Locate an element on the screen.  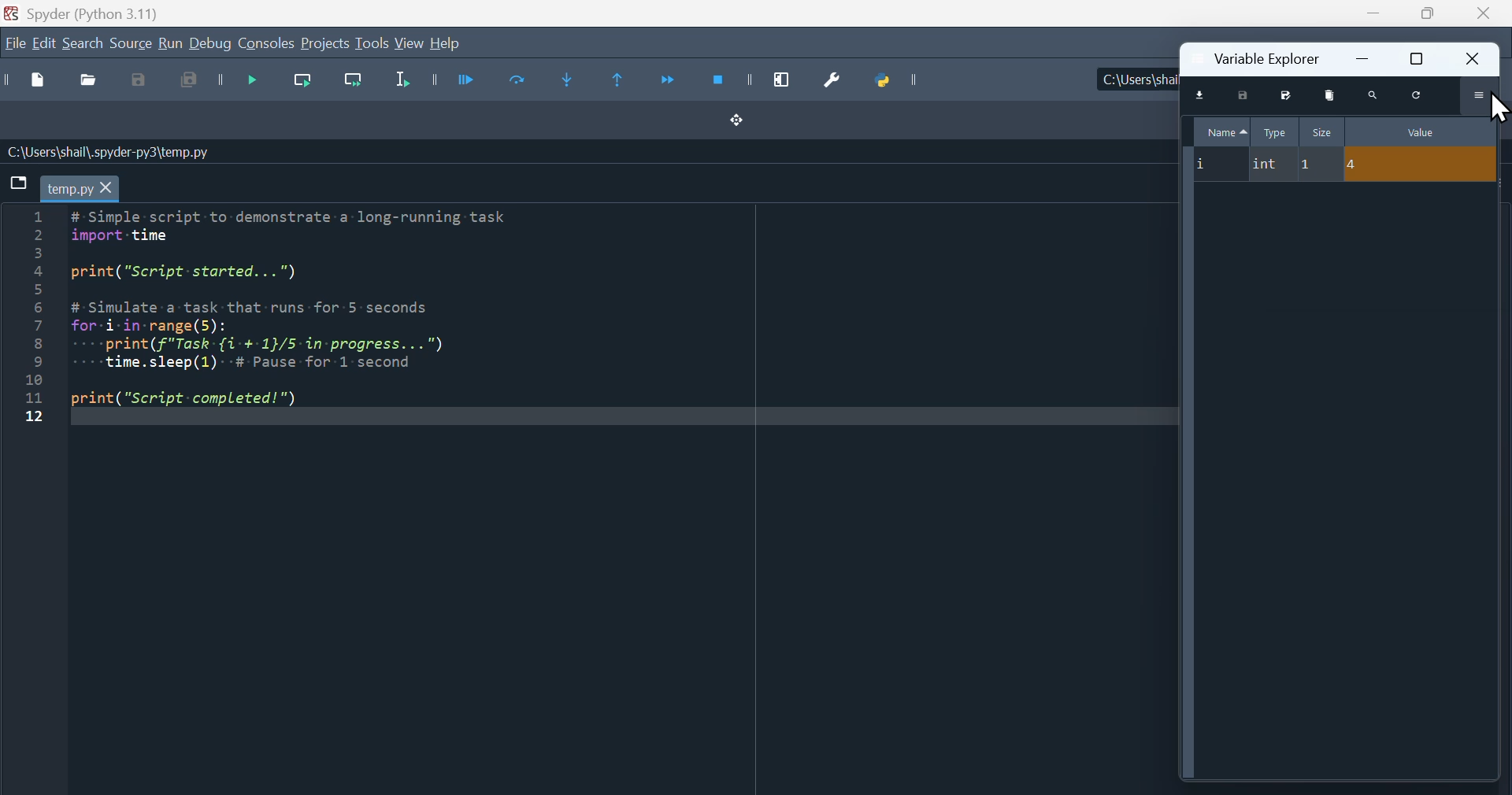
size is located at coordinates (1322, 131).